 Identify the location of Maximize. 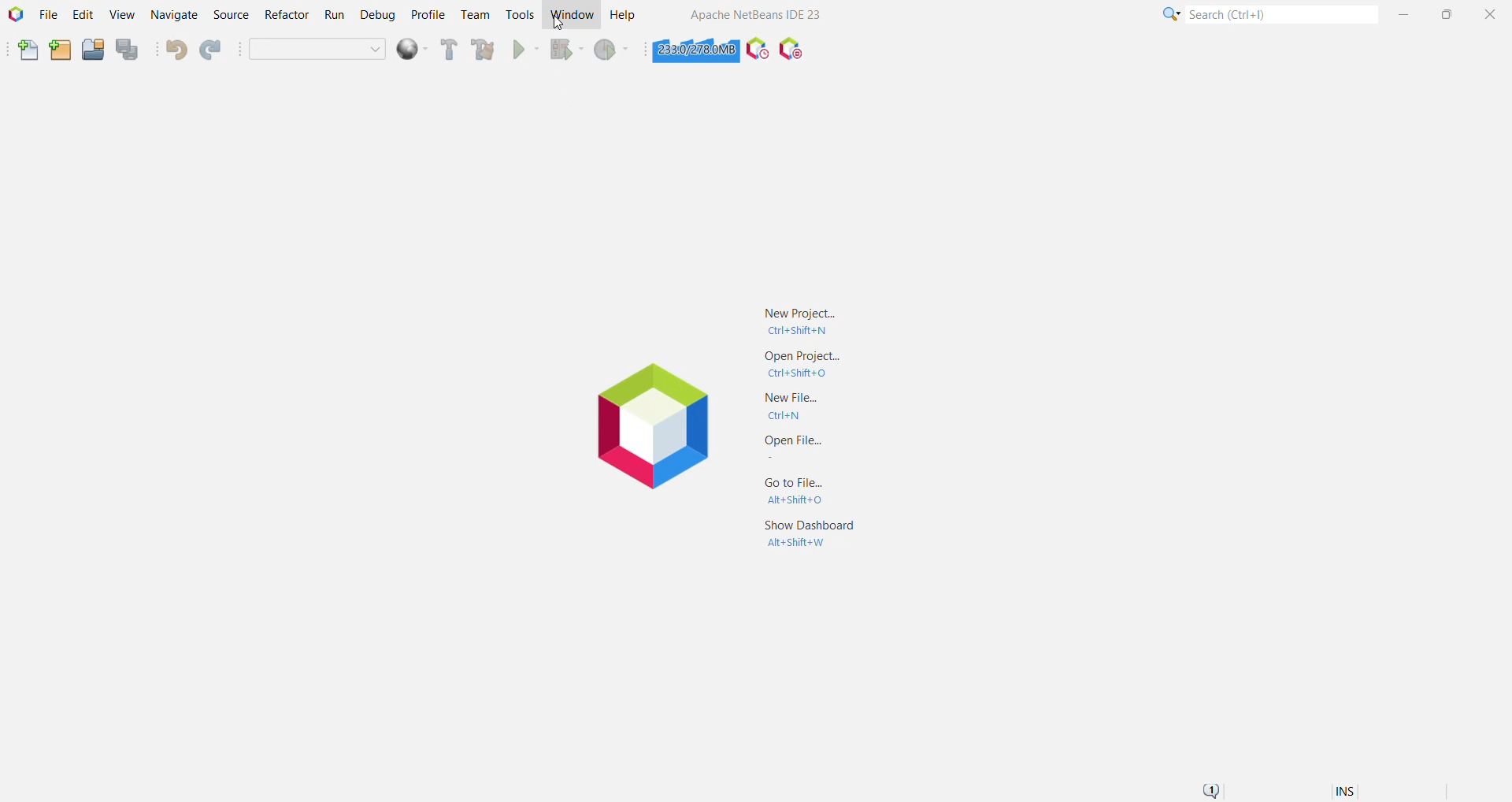
(1446, 15).